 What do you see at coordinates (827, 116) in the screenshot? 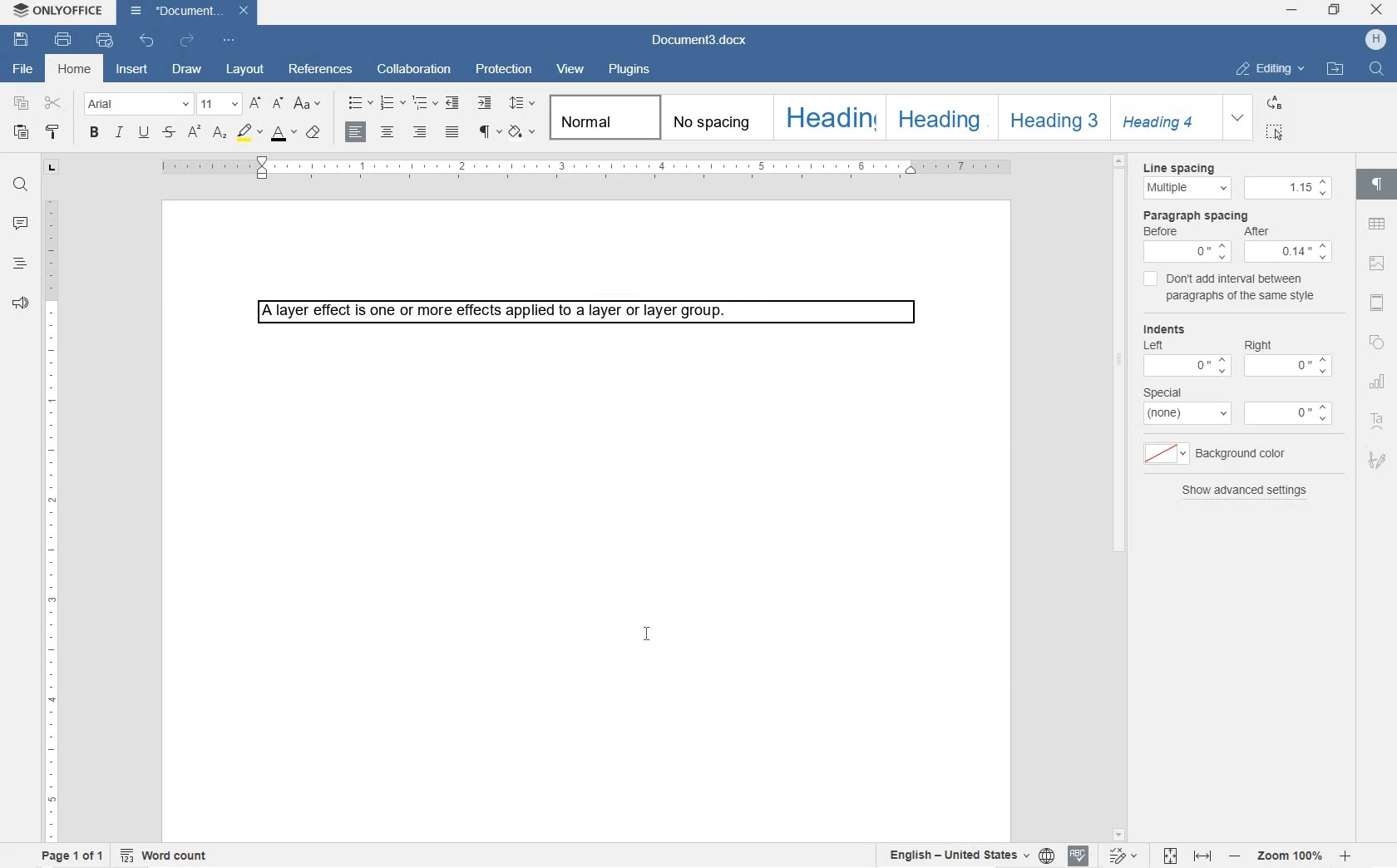
I see `HEADING 1` at bounding box center [827, 116].